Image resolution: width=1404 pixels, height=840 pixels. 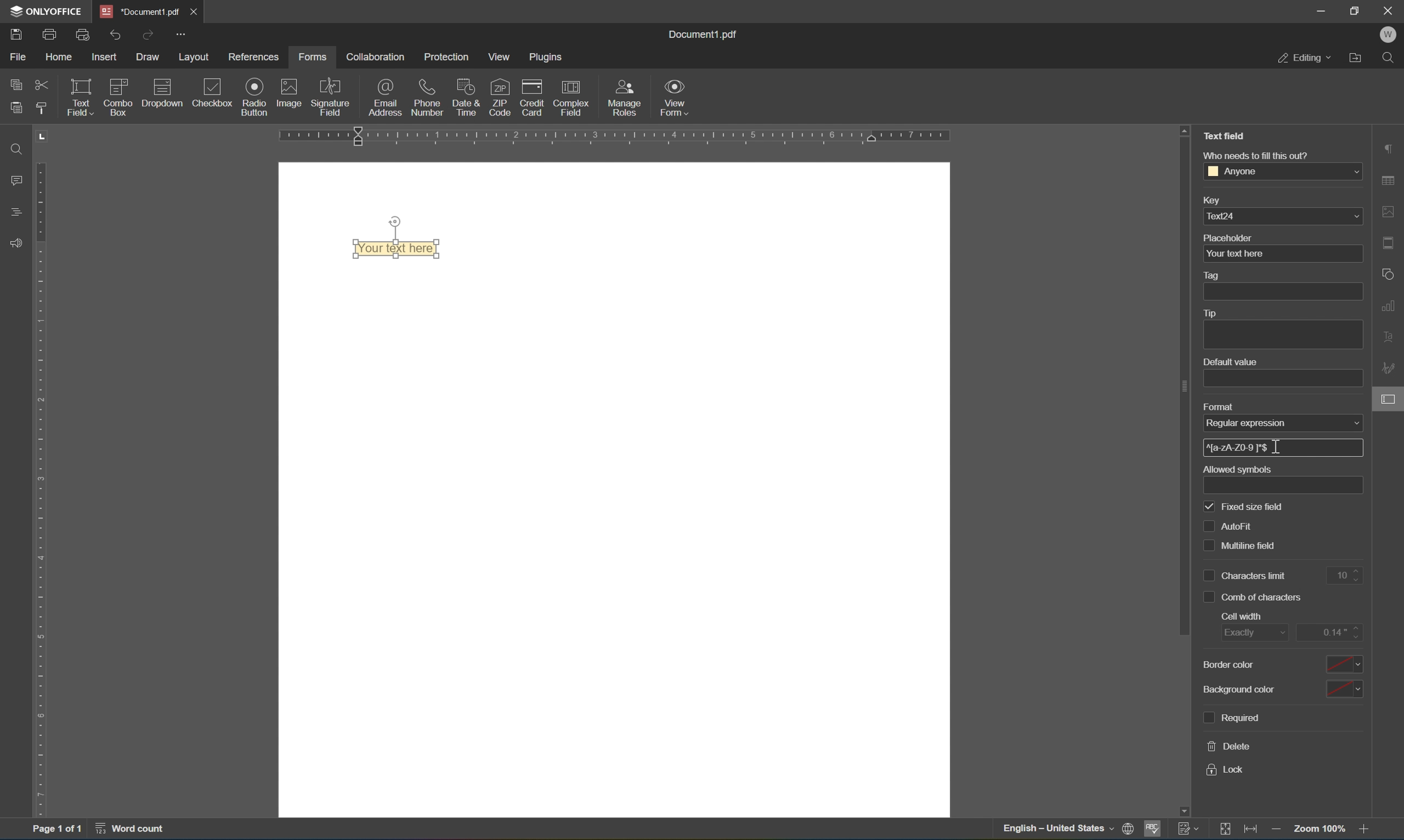 I want to click on word count, so click(x=136, y=830).